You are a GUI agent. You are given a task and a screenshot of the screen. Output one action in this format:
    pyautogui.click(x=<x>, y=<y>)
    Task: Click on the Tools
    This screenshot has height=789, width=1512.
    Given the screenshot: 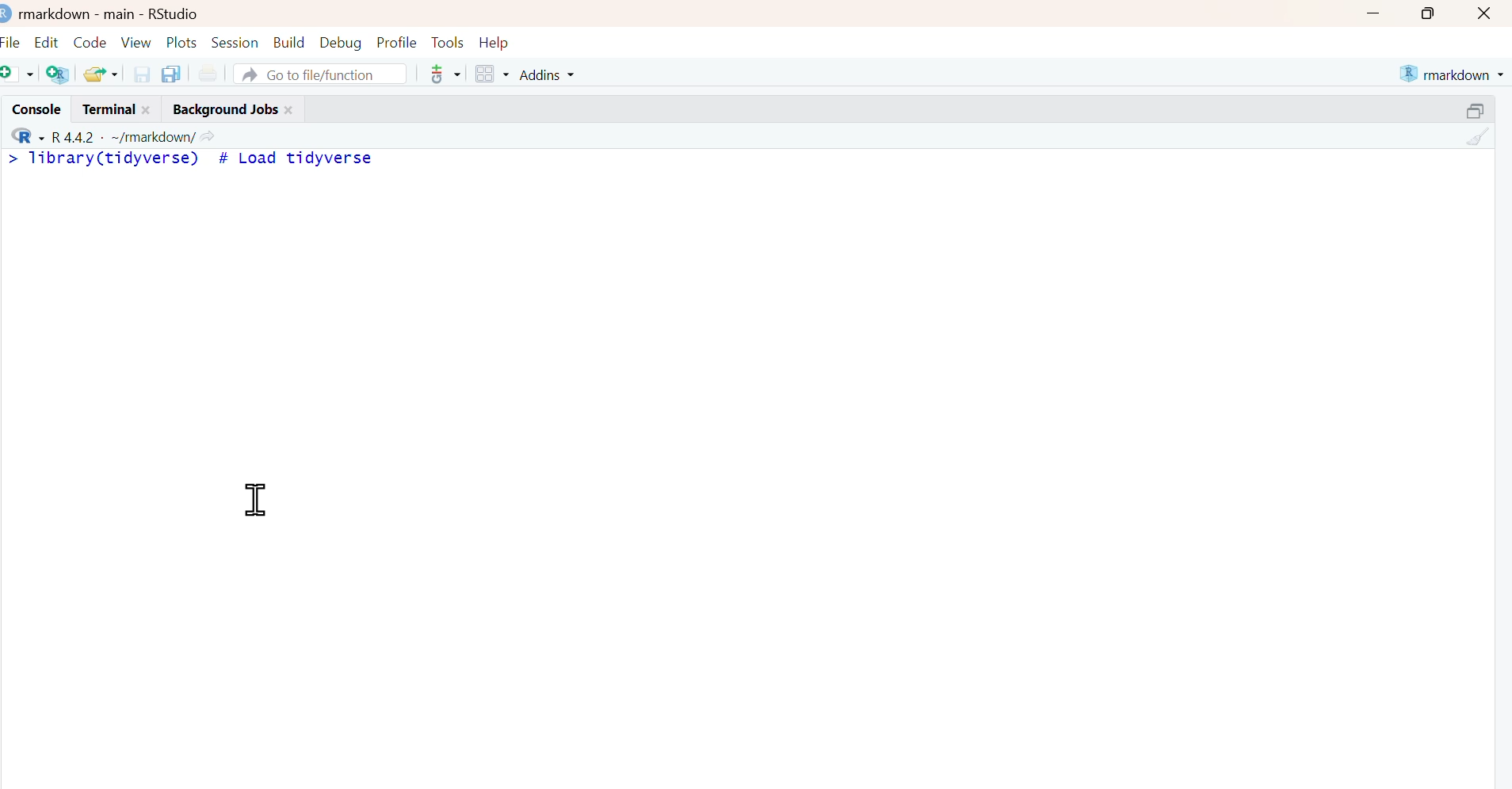 What is the action you would take?
    pyautogui.click(x=447, y=40)
    